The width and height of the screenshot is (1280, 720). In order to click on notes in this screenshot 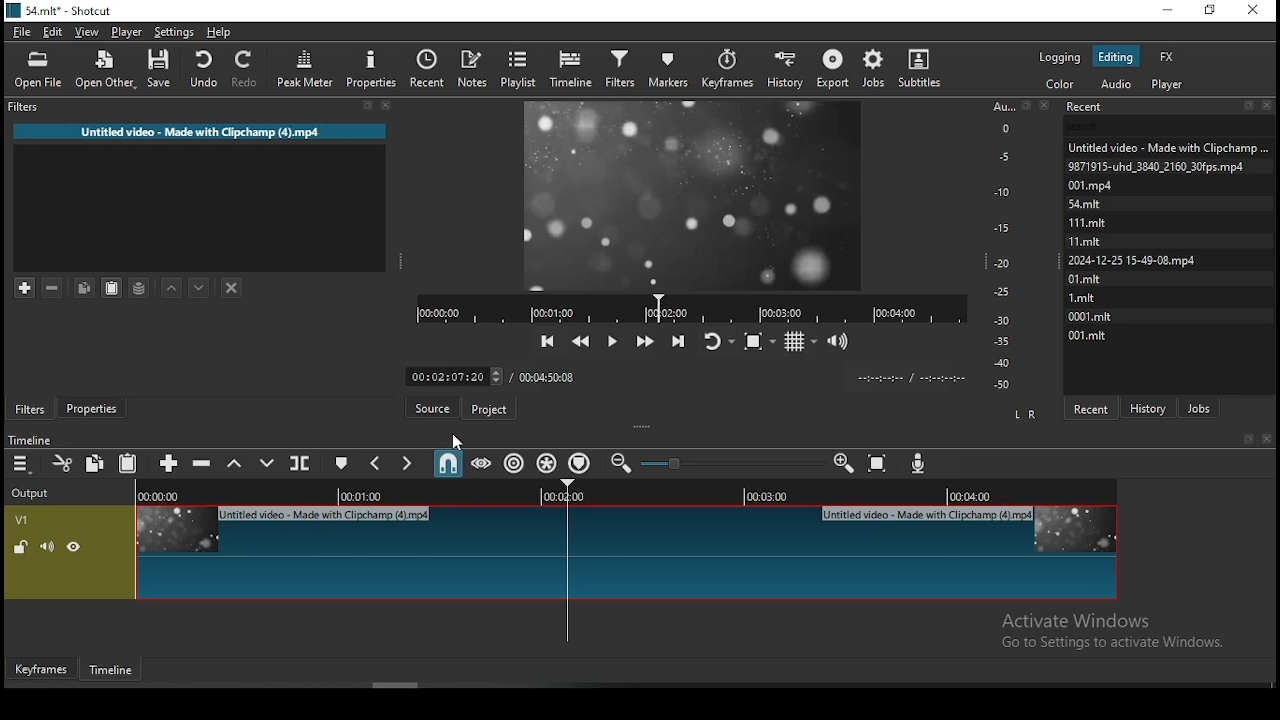, I will do `click(469, 67)`.